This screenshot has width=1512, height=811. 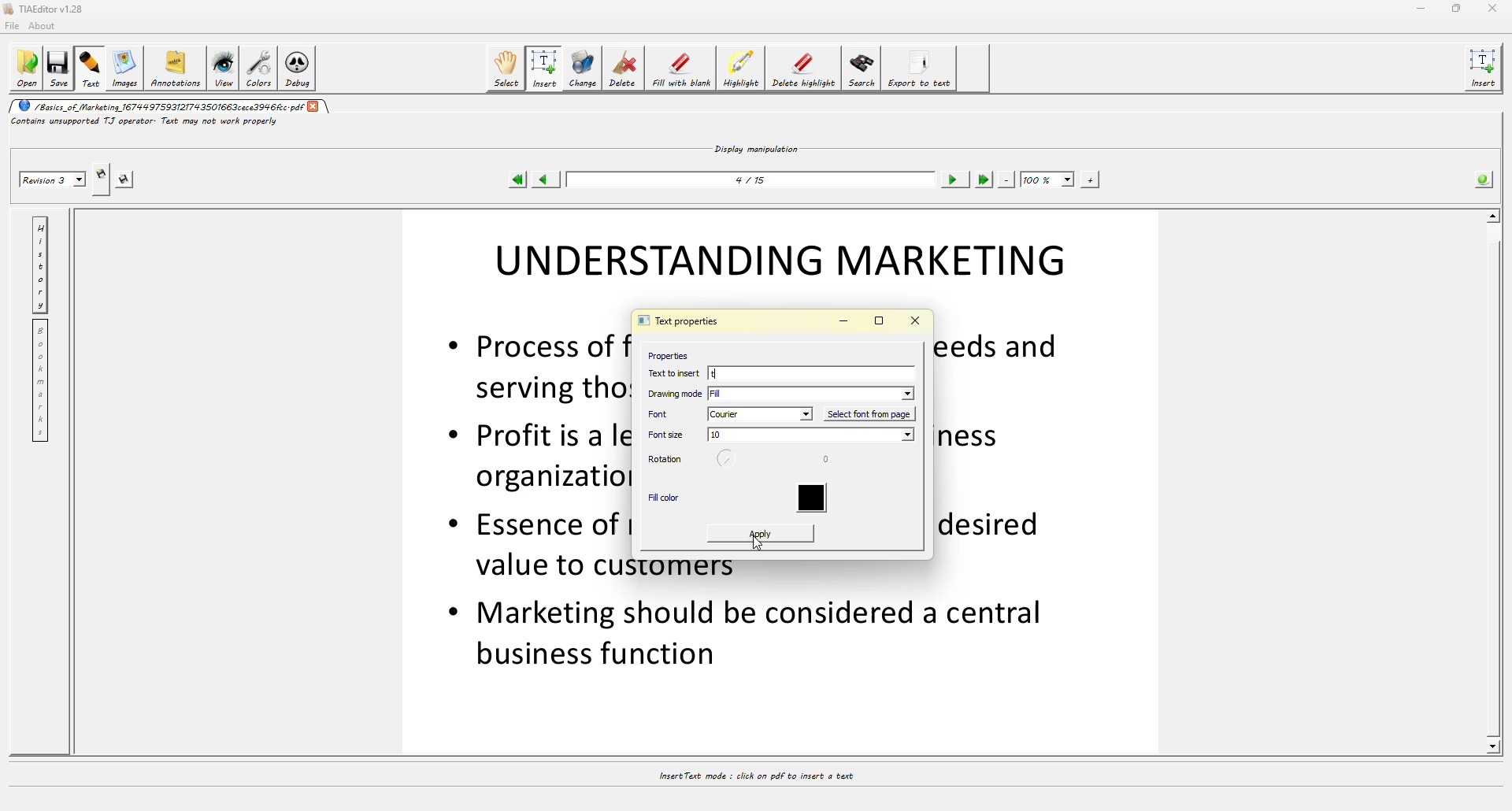 What do you see at coordinates (40, 262) in the screenshot?
I see `history` at bounding box center [40, 262].